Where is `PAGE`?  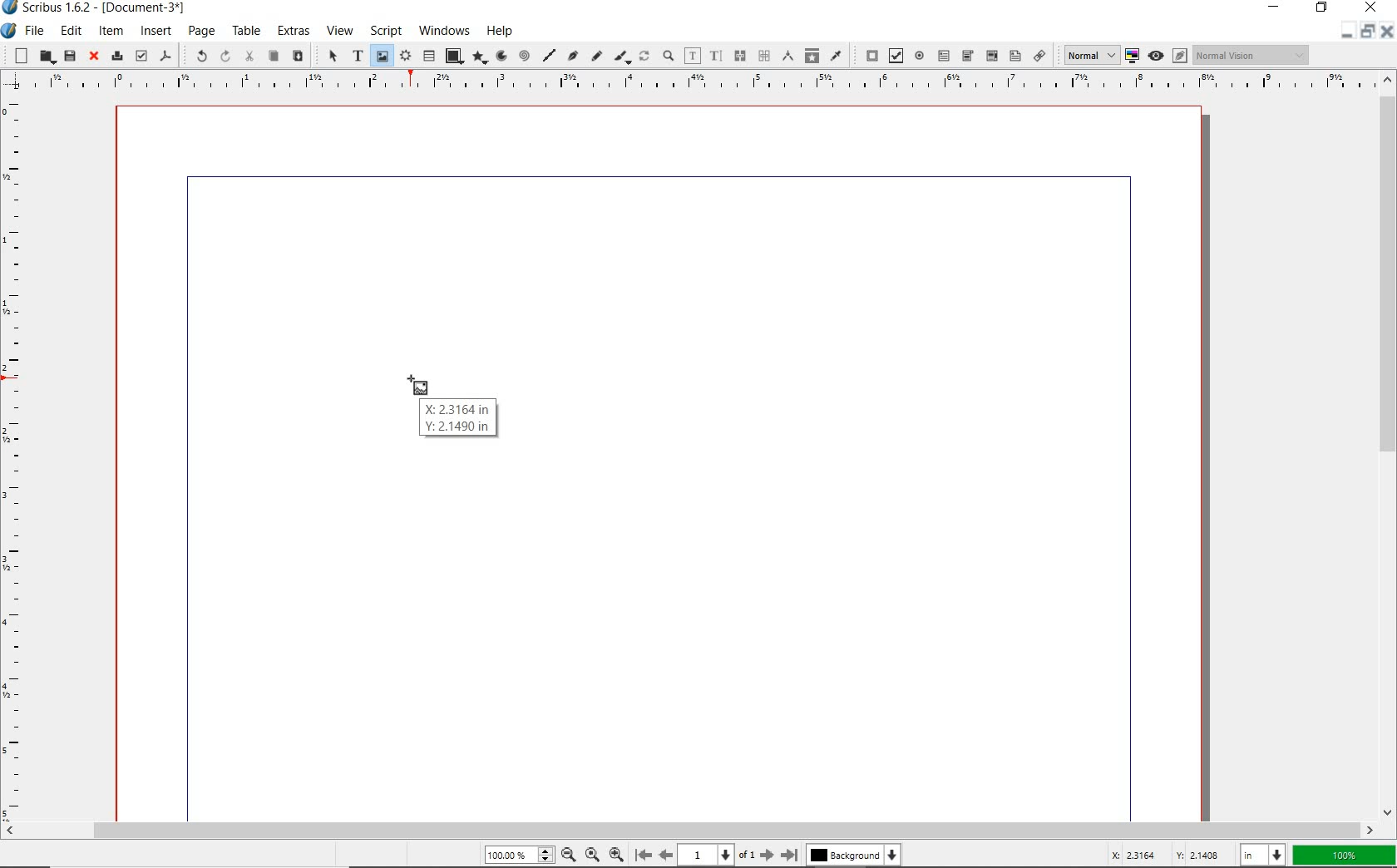
PAGE is located at coordinates (201, 32).